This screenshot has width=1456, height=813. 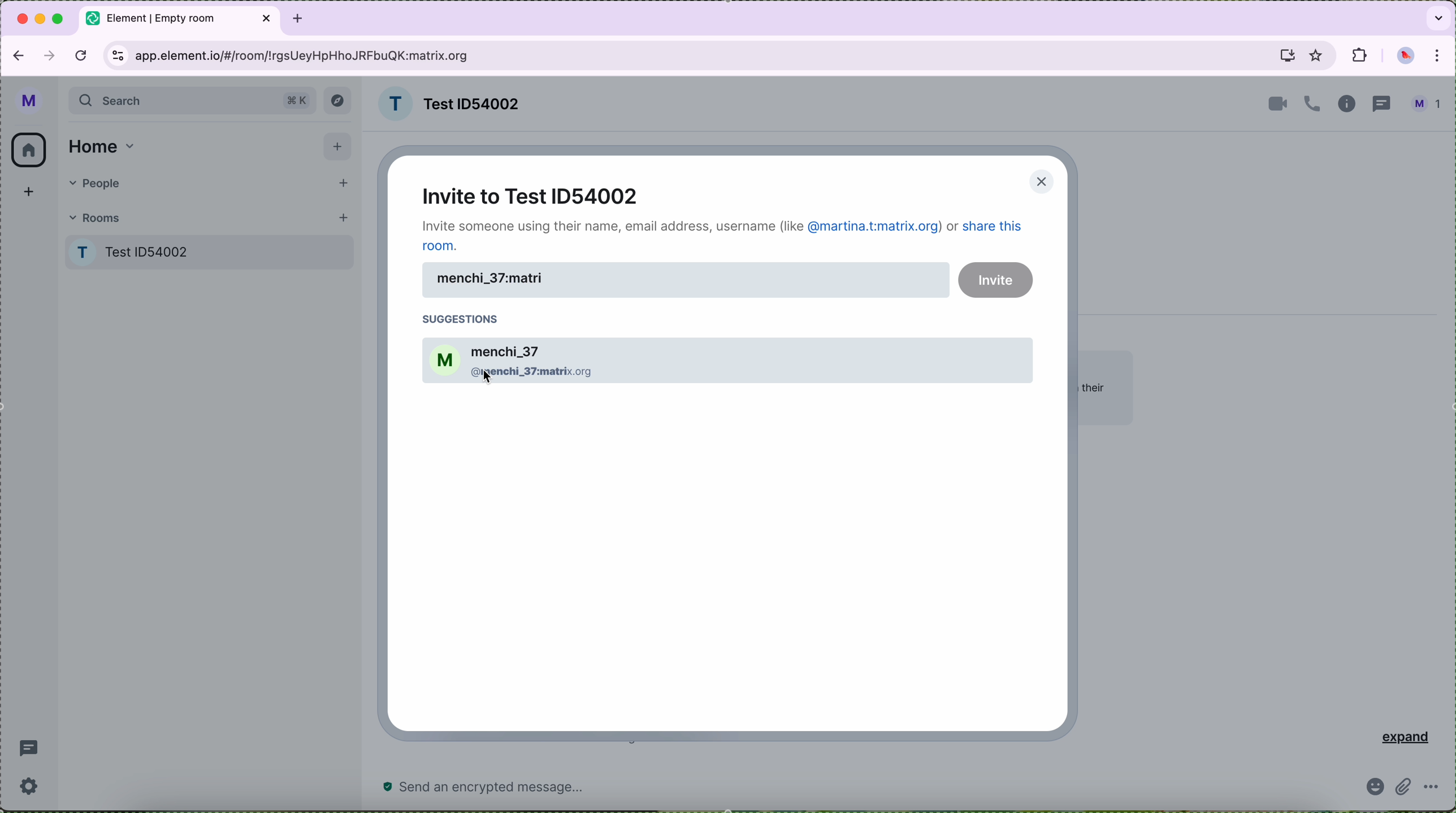 I want to click on tab, so click(x=181, y=19).